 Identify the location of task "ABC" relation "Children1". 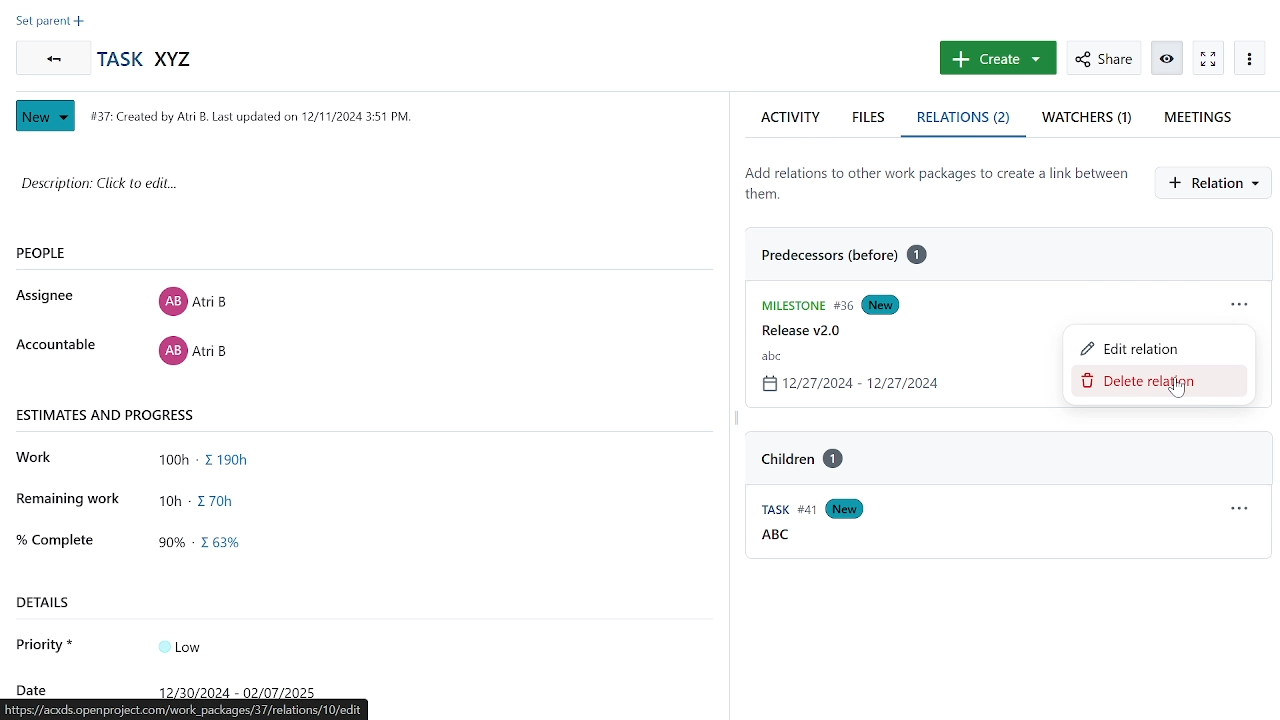
(798, 454).